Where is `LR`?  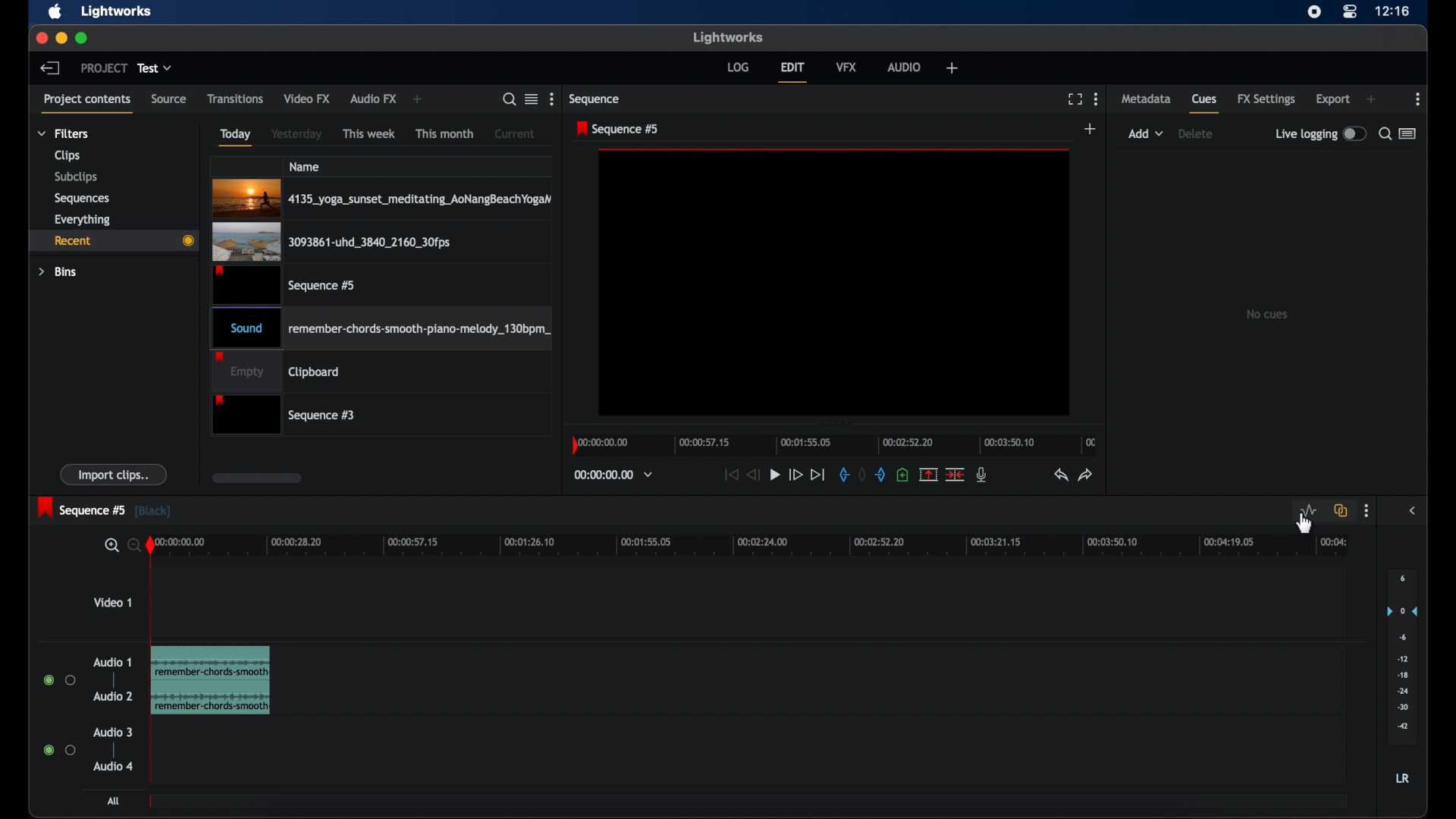 LR is located at coordinates (1402, 778).